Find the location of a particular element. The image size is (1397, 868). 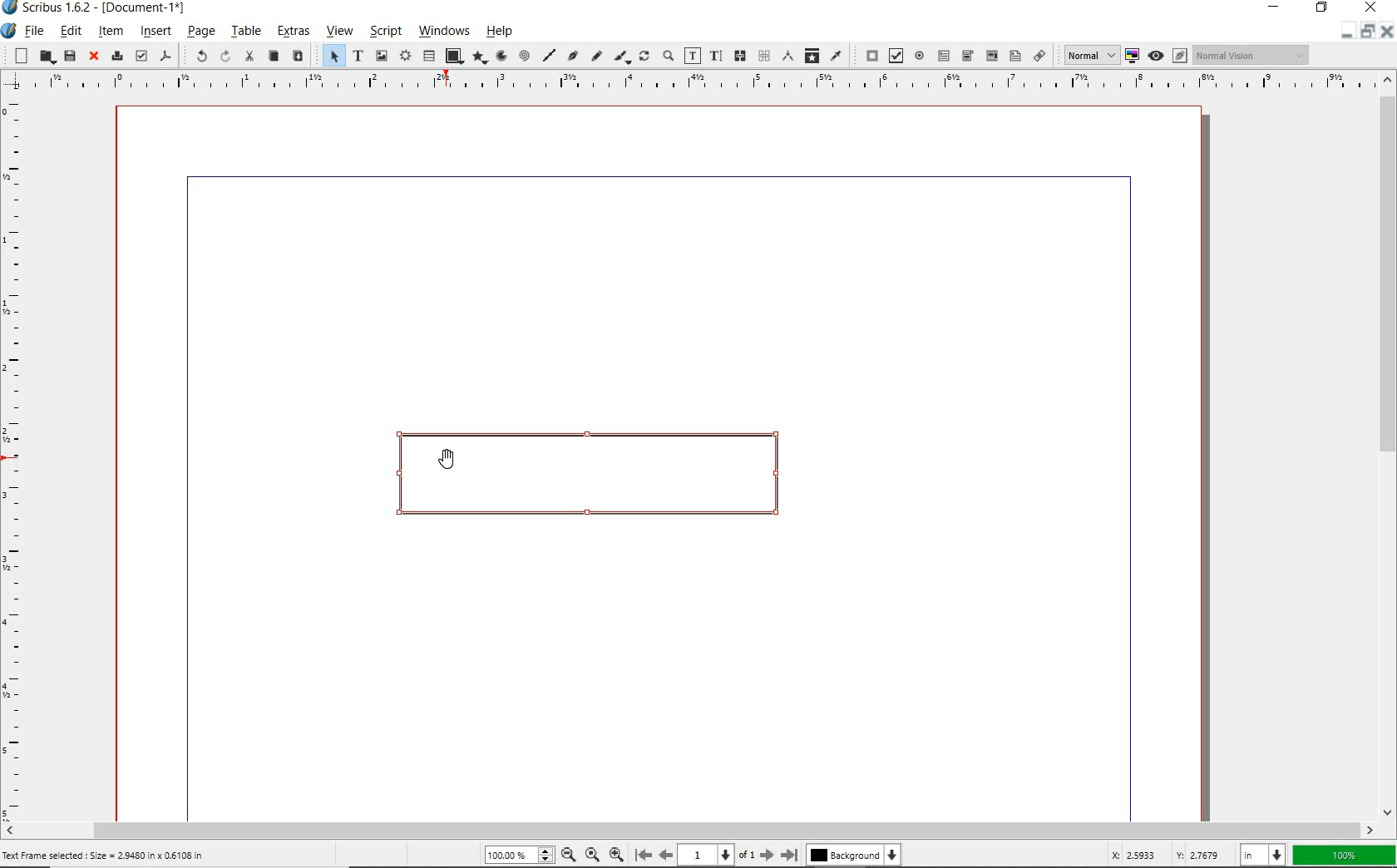

close is located at coordinates (1371, 7).